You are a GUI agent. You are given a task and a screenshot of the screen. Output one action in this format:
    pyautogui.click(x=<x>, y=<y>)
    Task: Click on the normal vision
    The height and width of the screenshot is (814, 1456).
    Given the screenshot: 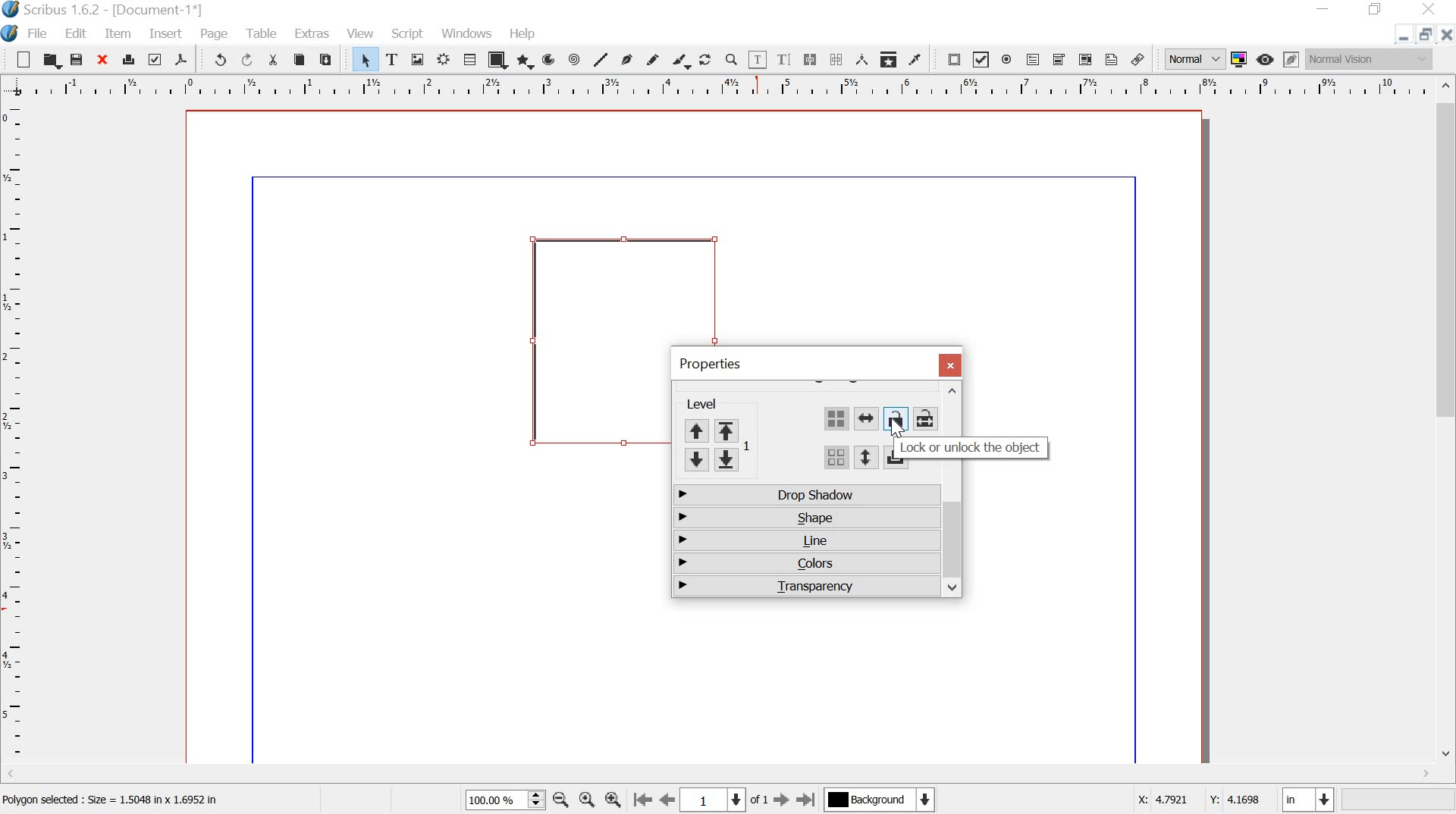 What is the action you would take?
    pyautogui.click(x=1370, y=59)
    